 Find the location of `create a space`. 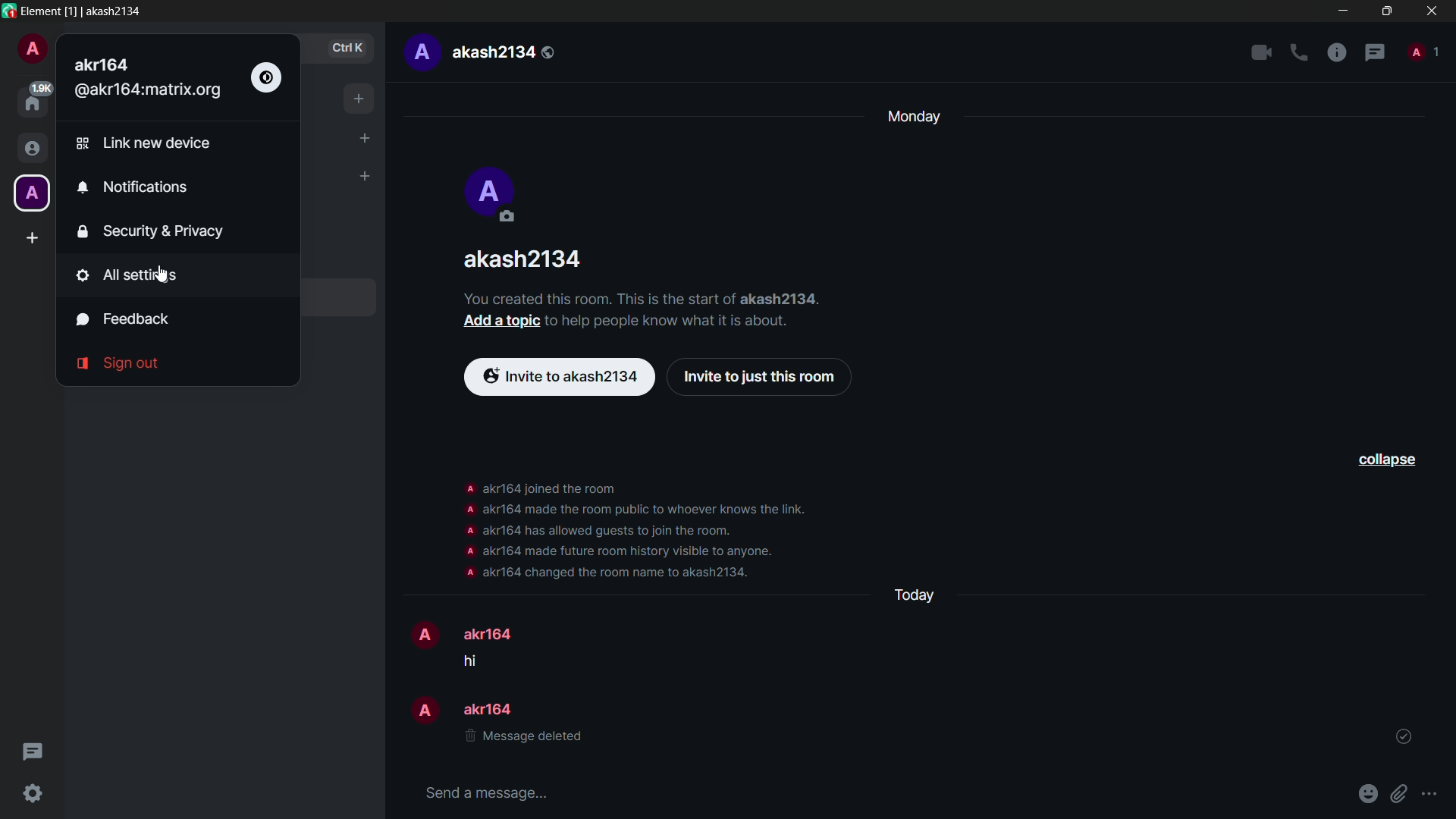

create a space is located at coordinates (33, 238).